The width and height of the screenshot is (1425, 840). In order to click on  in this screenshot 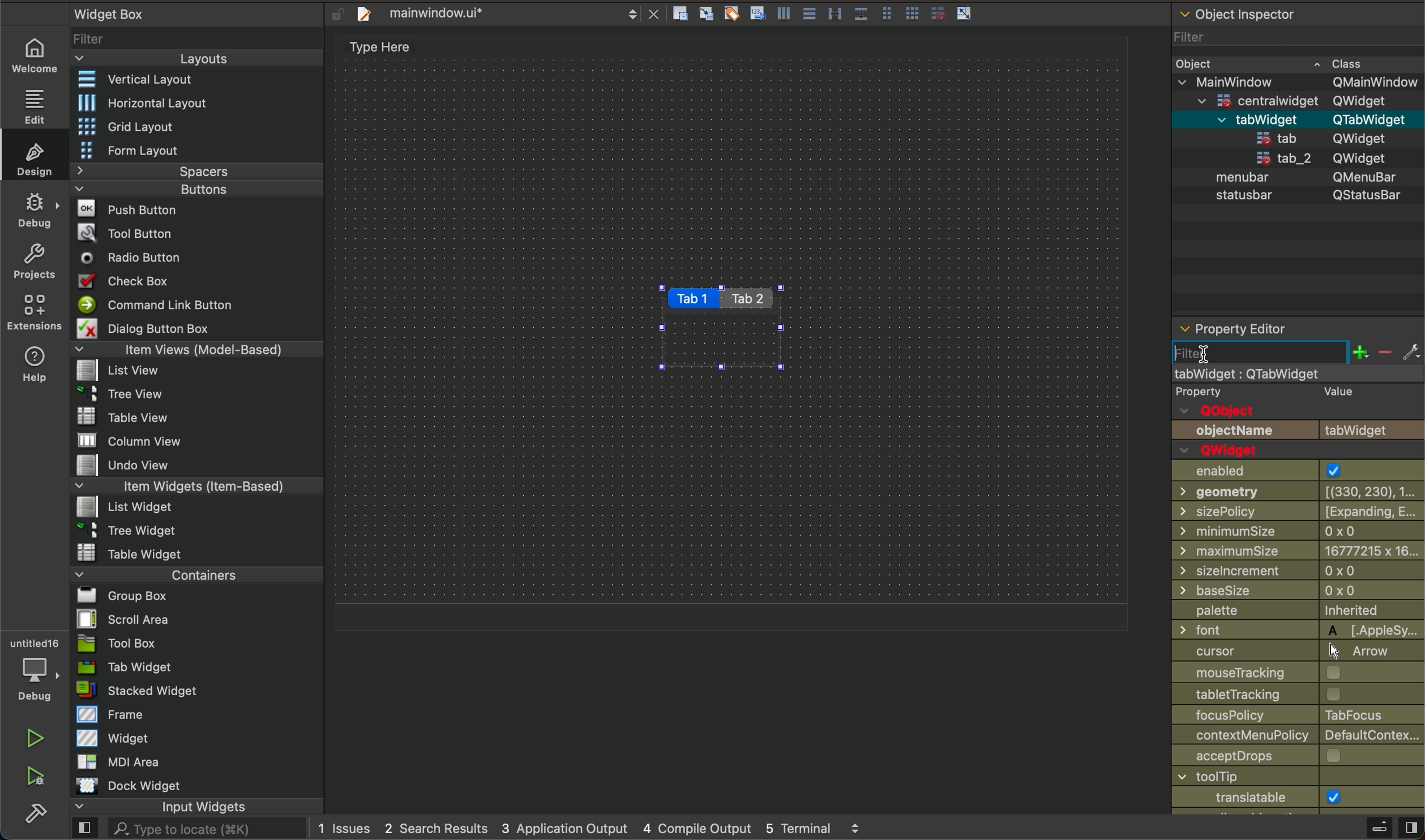, I will do `click(1300, 673)`.